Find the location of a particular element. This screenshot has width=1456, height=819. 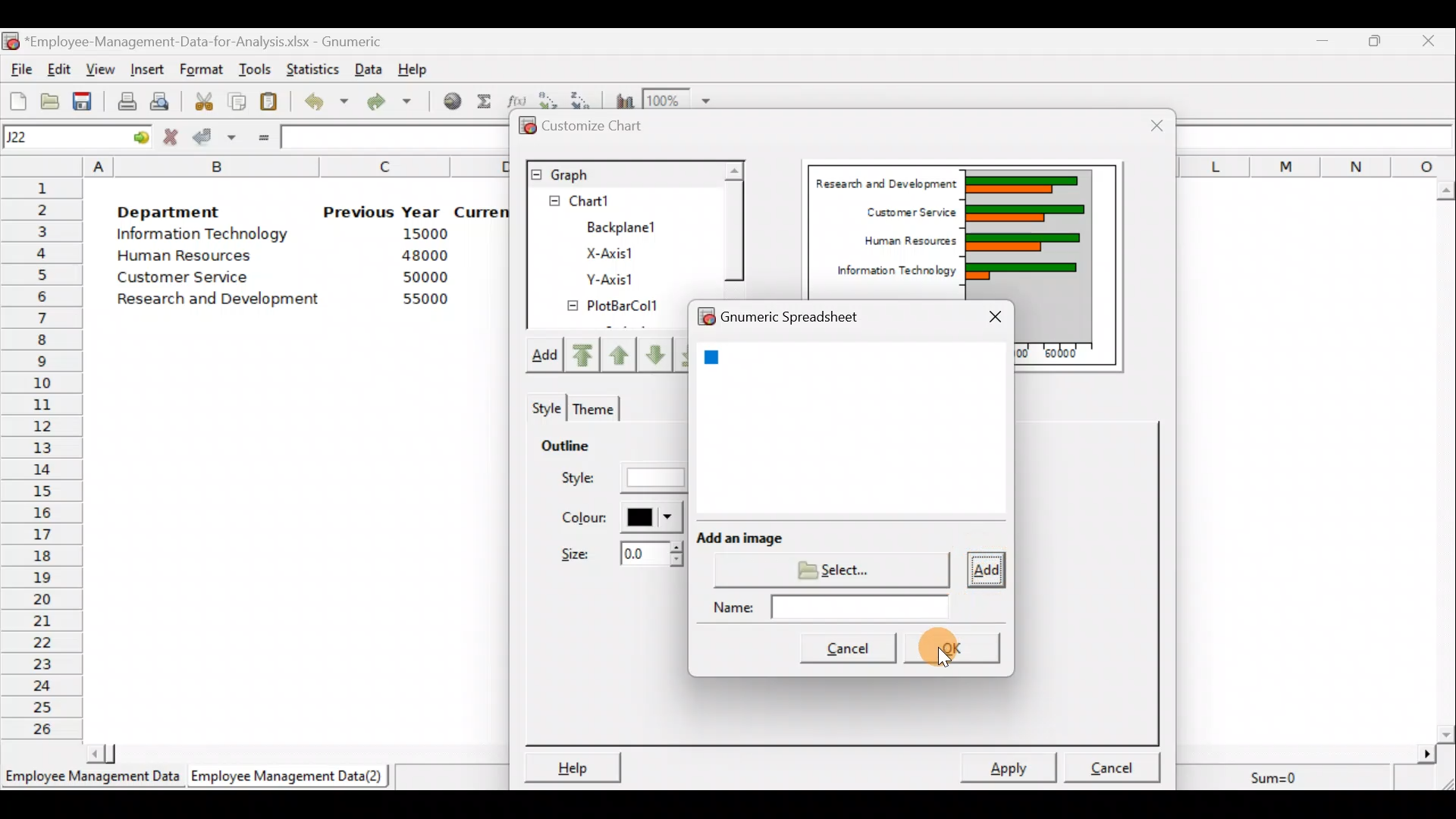

Human Resources is located at coordinates (196, 257).